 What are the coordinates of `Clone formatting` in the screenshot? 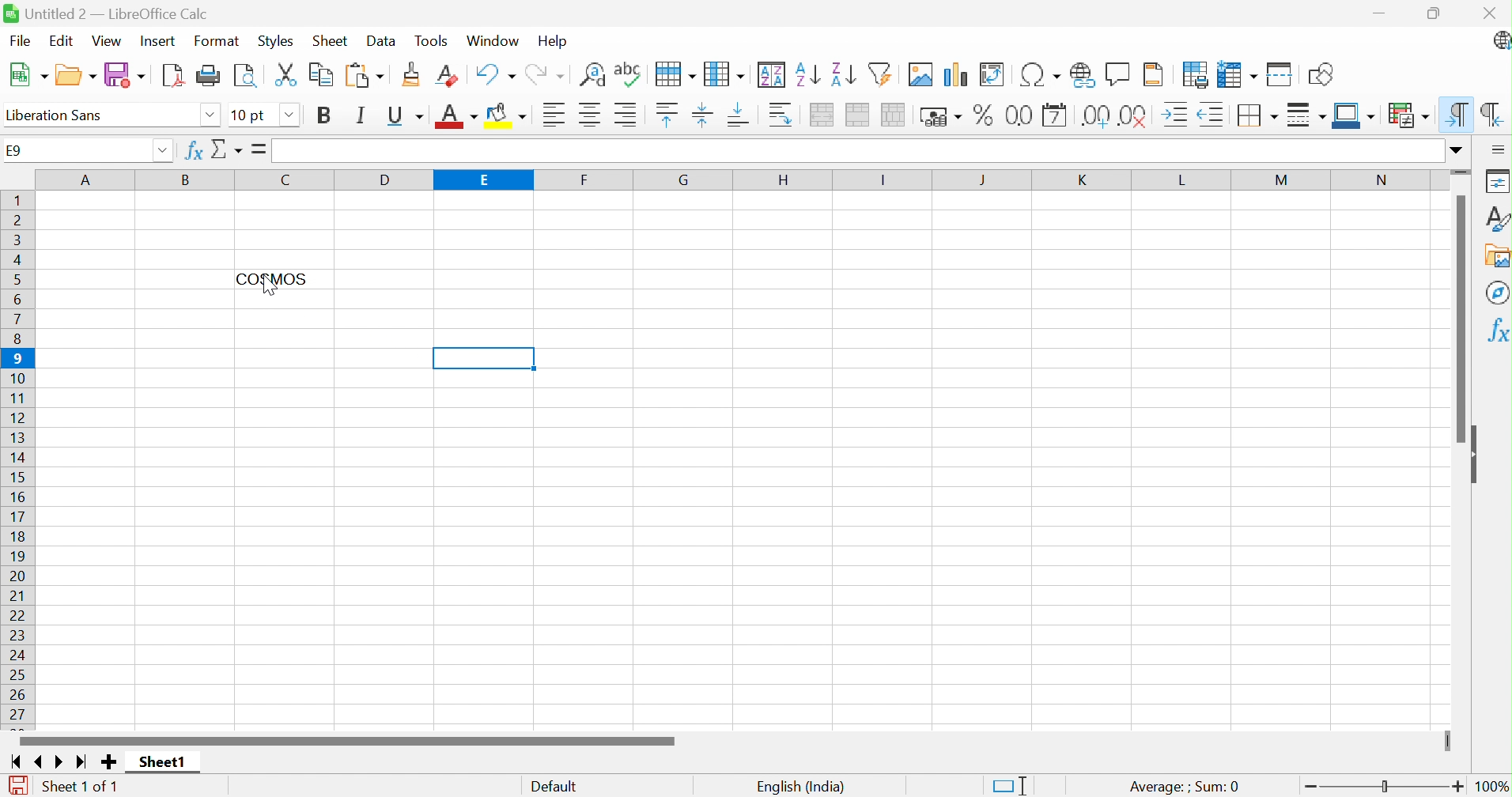 It's located at (413, 72).